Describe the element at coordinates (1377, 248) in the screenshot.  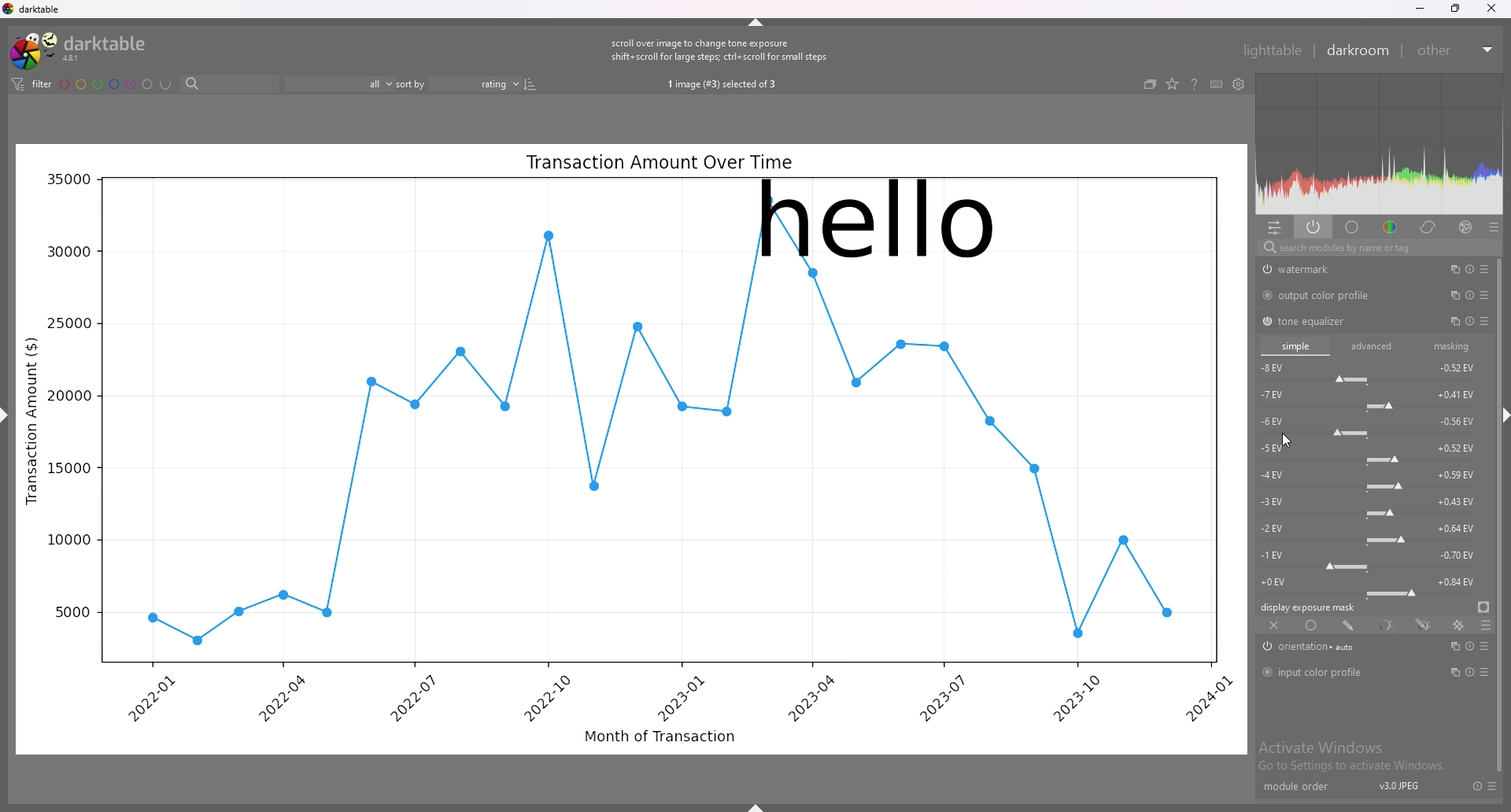
I see `search modules` at that location.